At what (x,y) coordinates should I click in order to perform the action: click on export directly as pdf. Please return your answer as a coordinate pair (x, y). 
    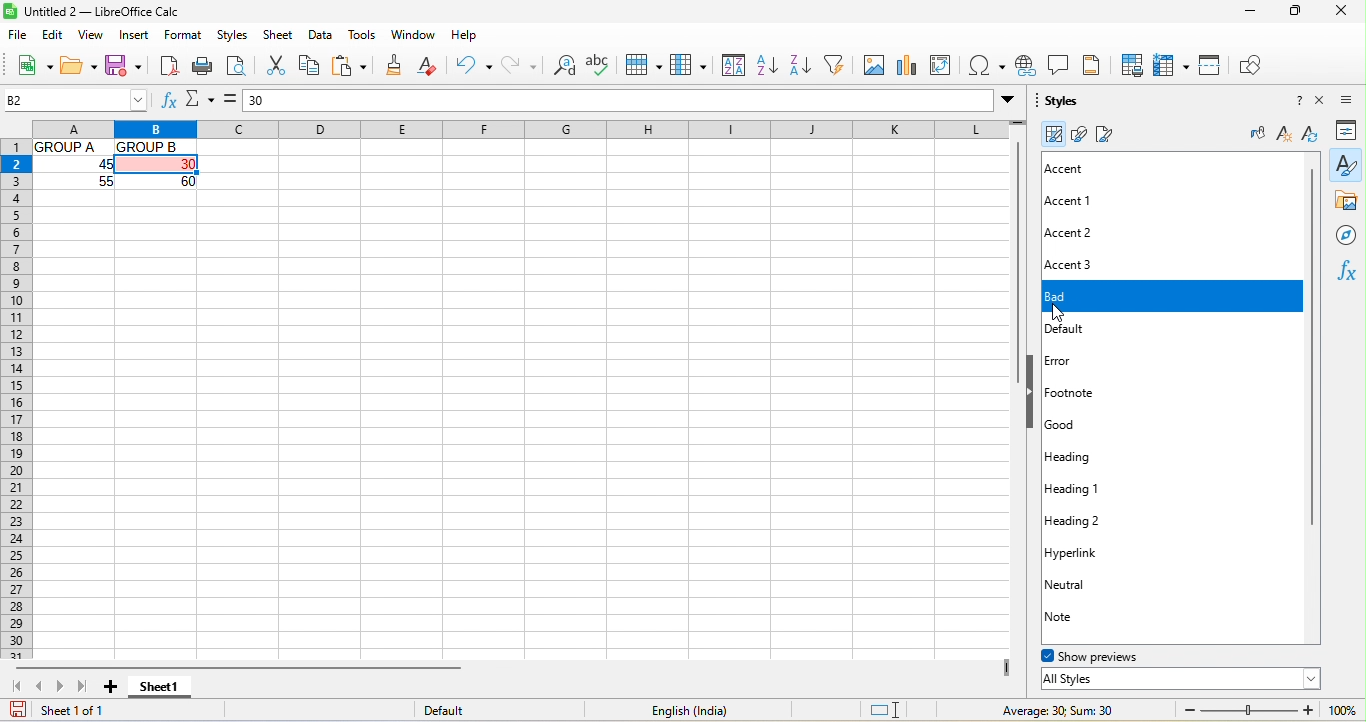
    Looking at the image, I should click on (168, 68).